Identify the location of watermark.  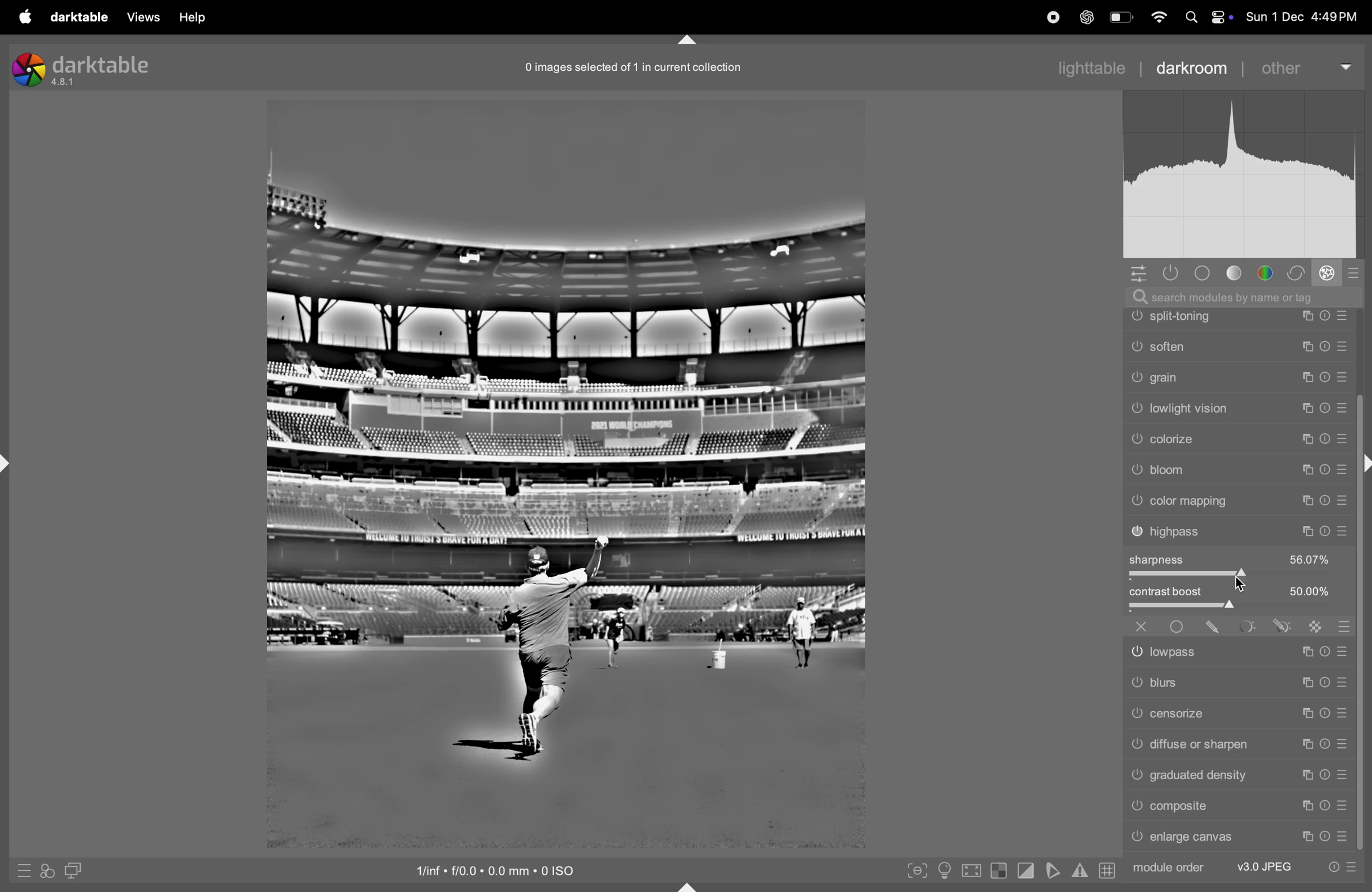
(1238, 316).